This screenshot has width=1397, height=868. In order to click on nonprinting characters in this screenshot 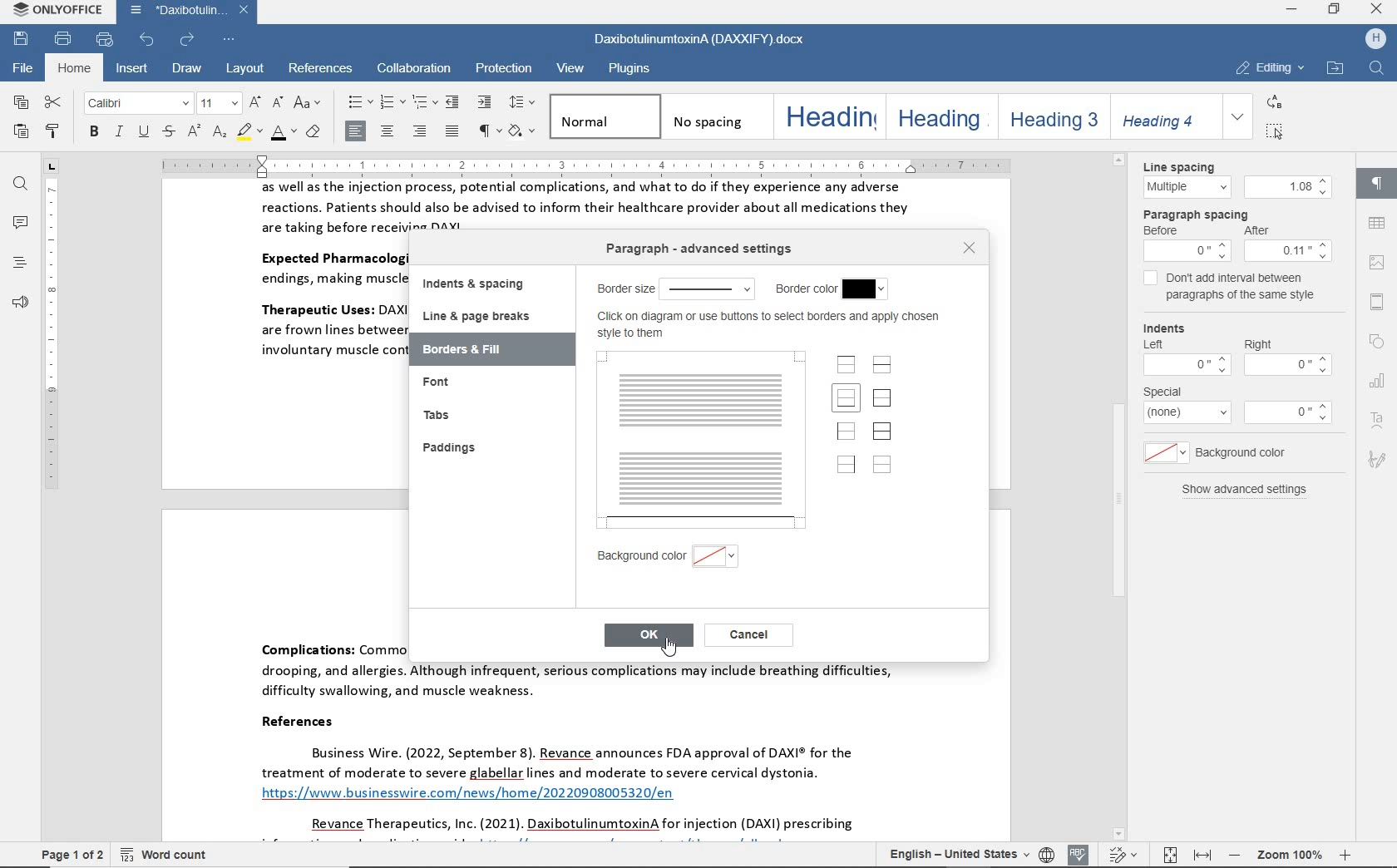, I will do `click(487, 131)`.